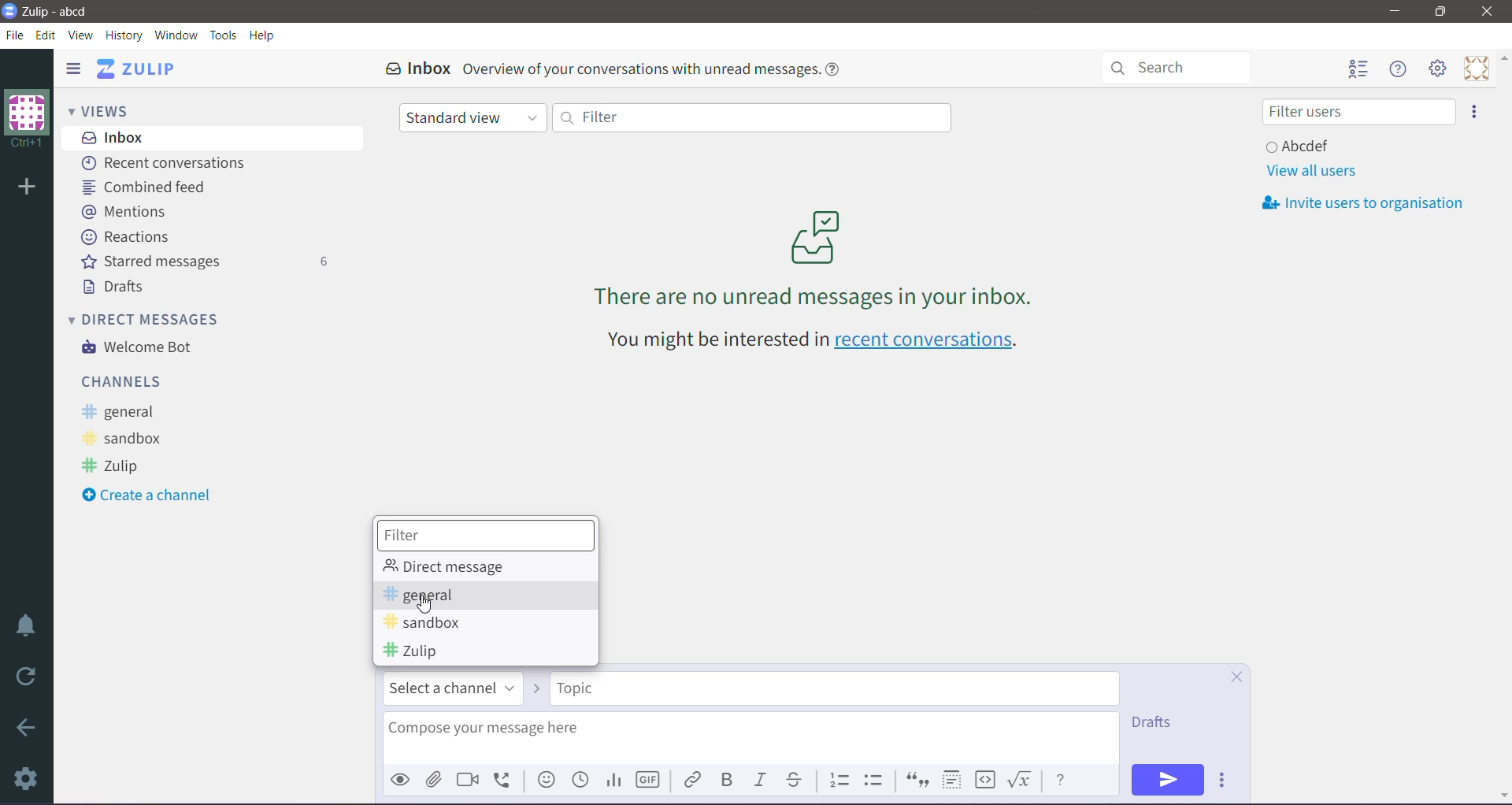 This screenshot has width=1512, height=805. What do you see at coordinates (262, 35) in the screenshot?
I see `Help` at bounding box center [262, 35].